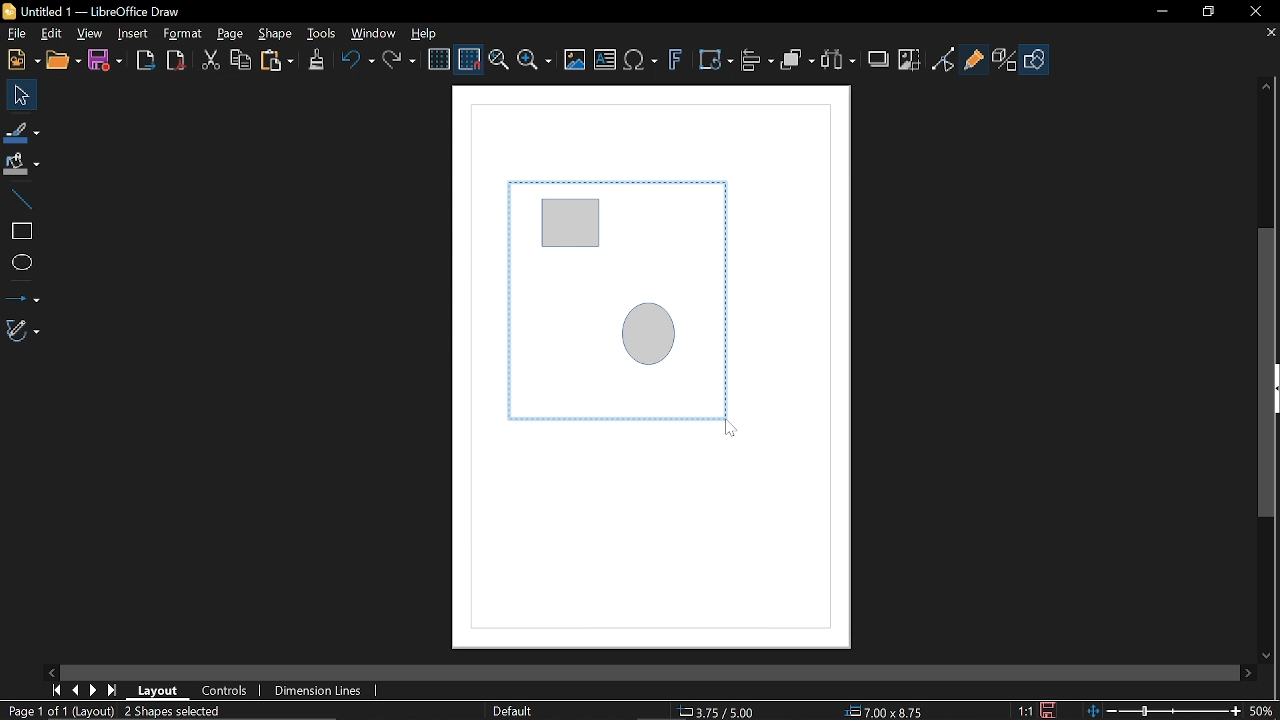  Describe the element at coordinates (21, 197) in the screenshot. I see `Line` at that location.